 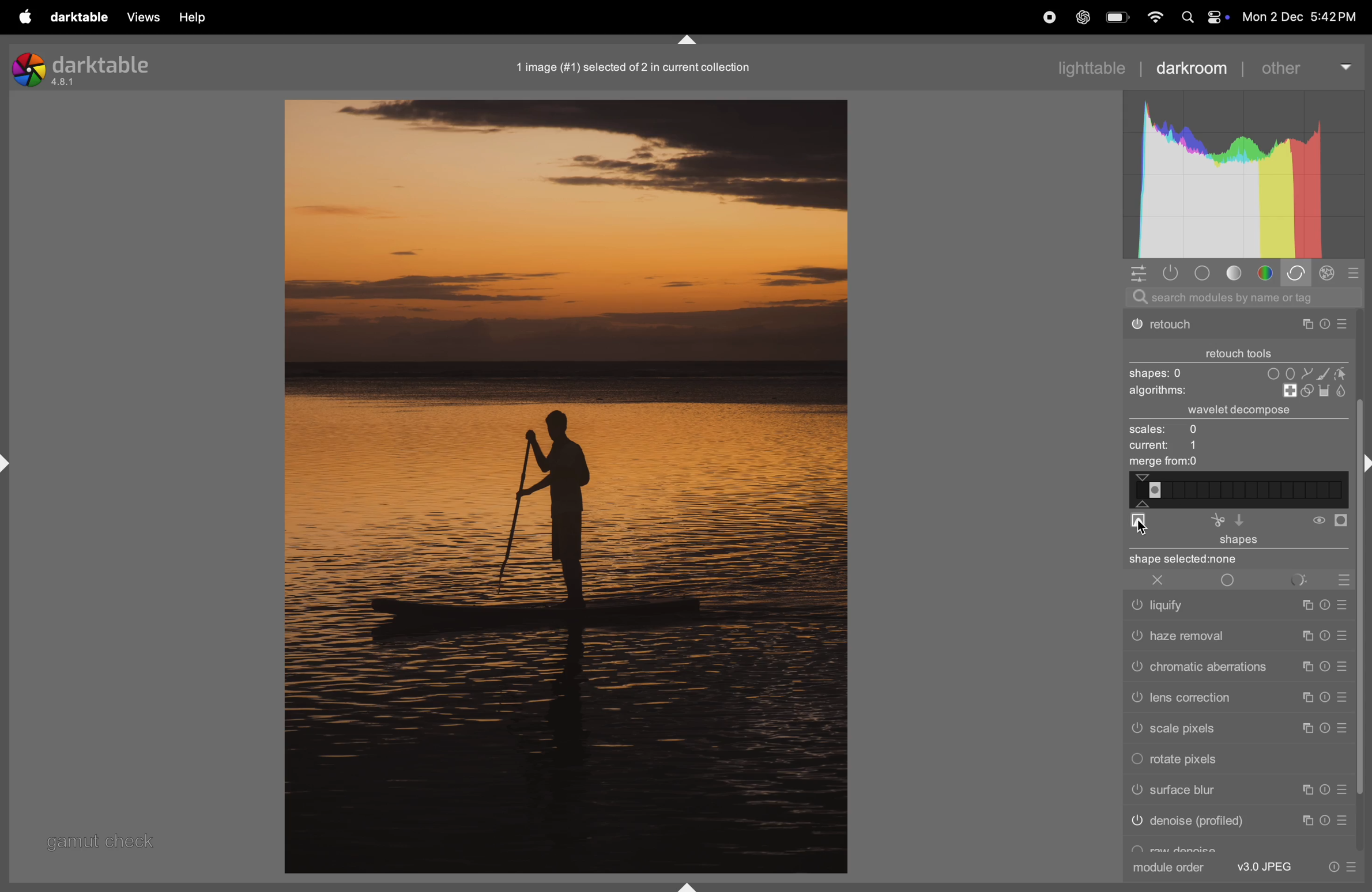 What do you see at coordinates (1167, 868) in the screenshot?
I see `module order` at bounding box center [1167, 868].